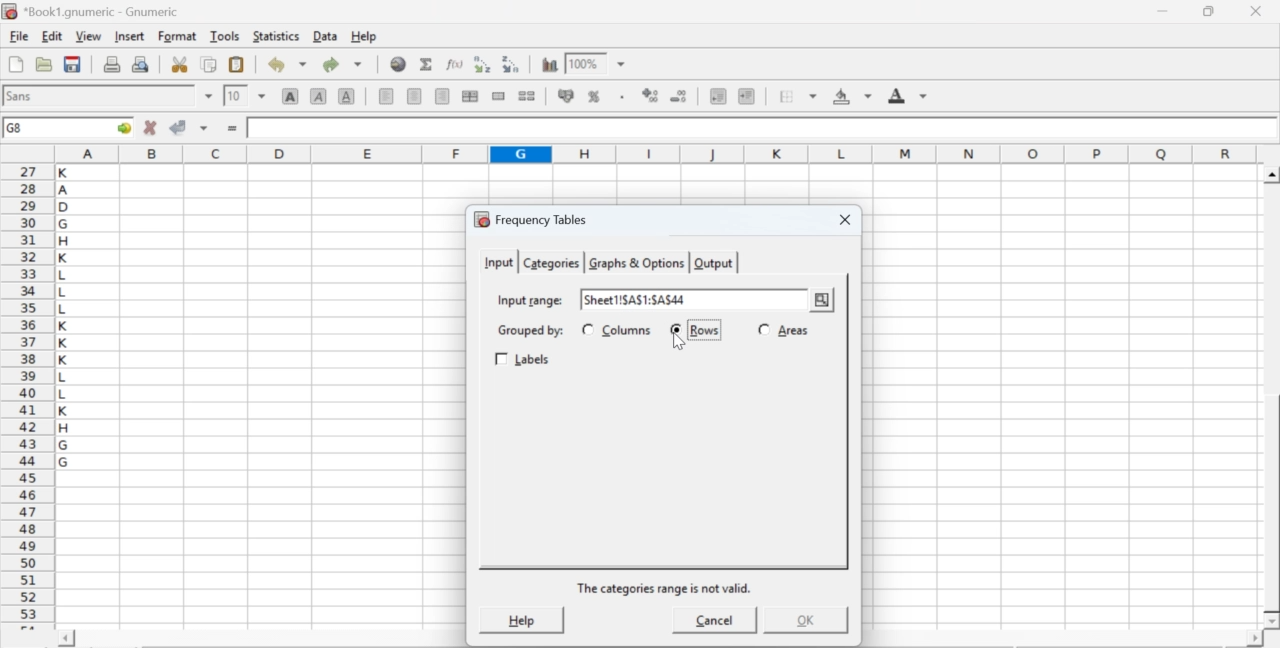  Describe the element at coordinates (636, 299) in the screenshot. I see `sheet1!$A$1:$A$44` at that location.